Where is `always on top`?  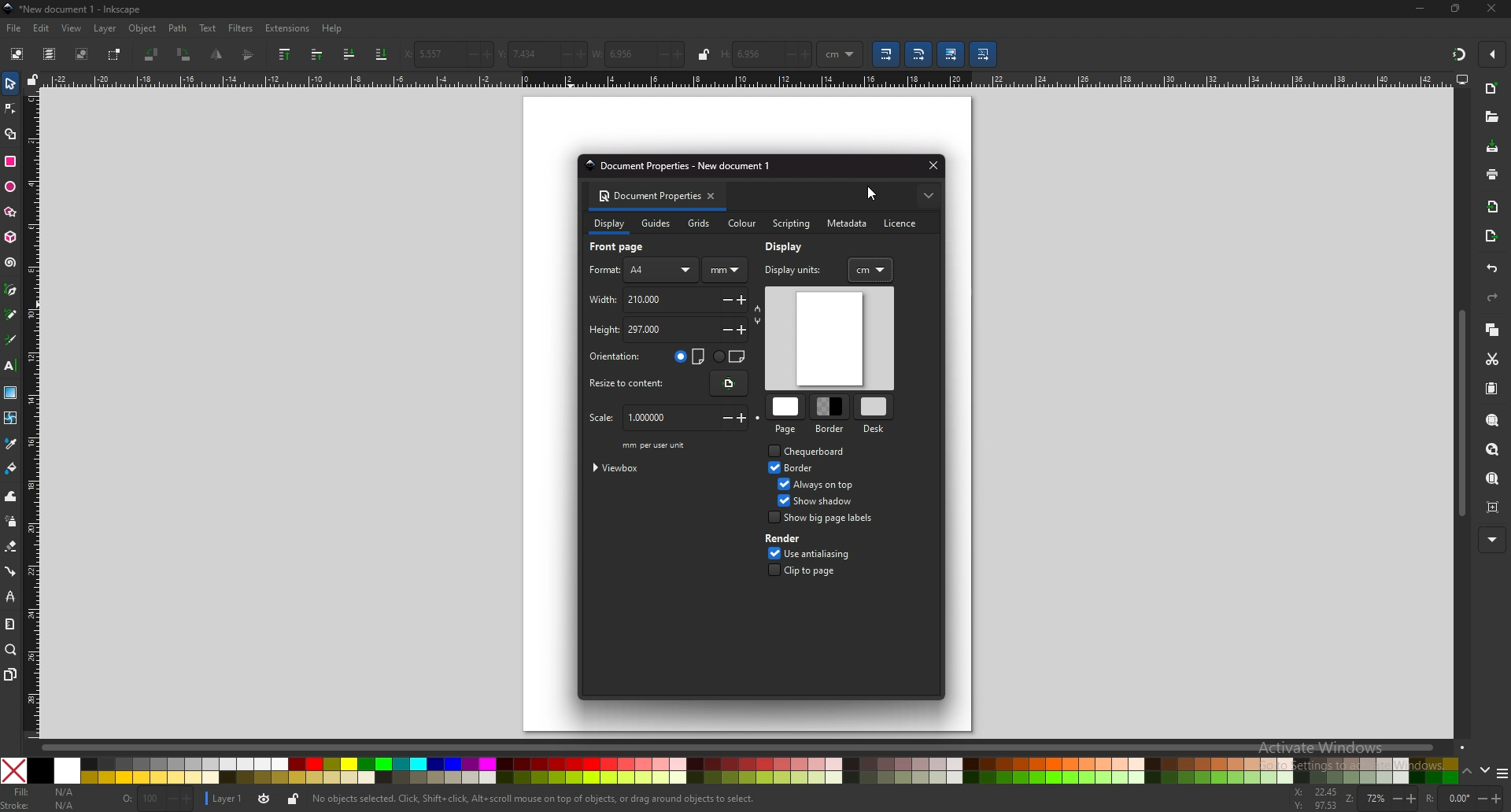 always on top is located at coordinates (827, 484).